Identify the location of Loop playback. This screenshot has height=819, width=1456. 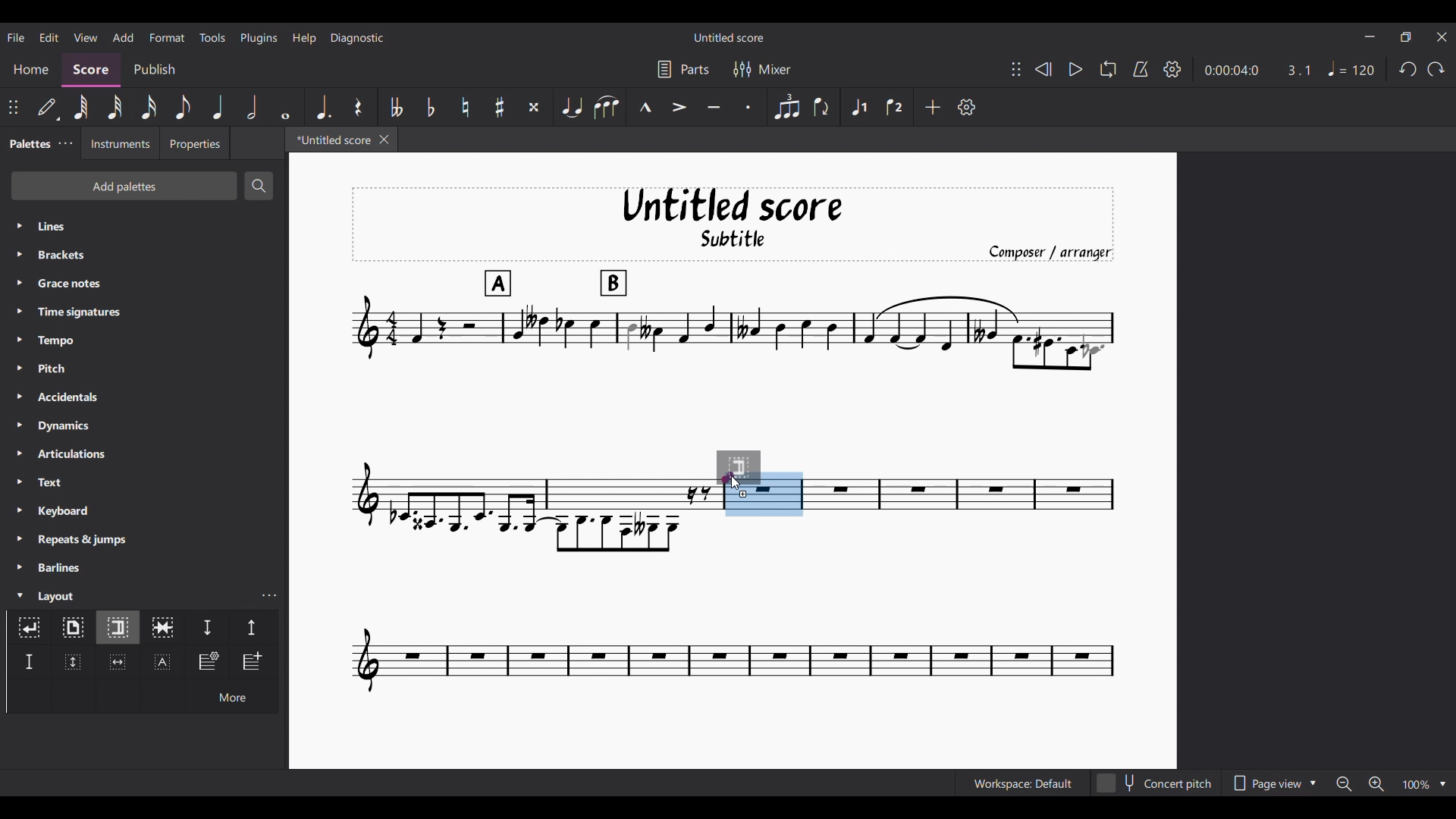
(1108, 69).